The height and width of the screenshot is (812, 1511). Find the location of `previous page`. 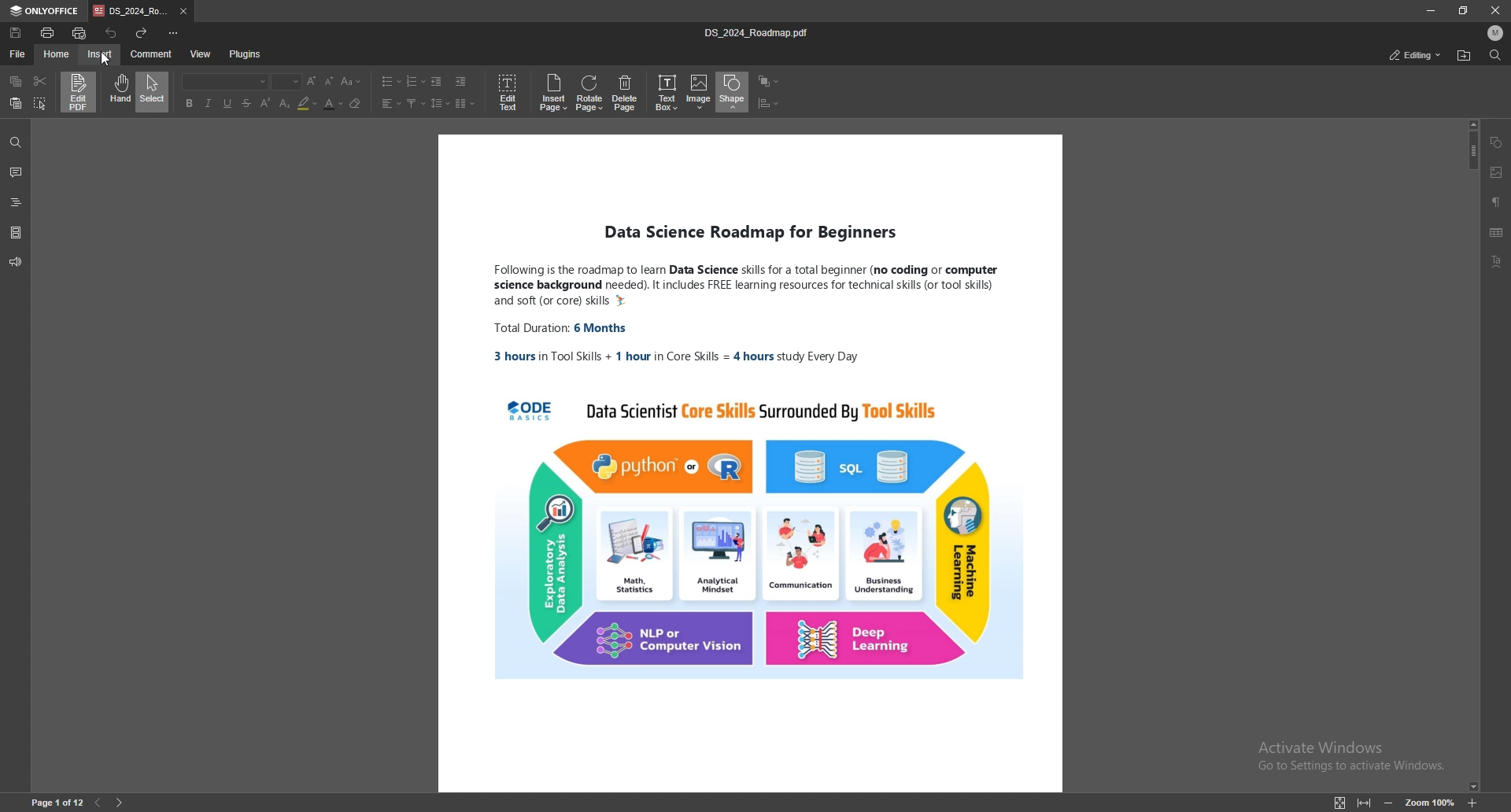

previous page is located at coordinates (98, 803).